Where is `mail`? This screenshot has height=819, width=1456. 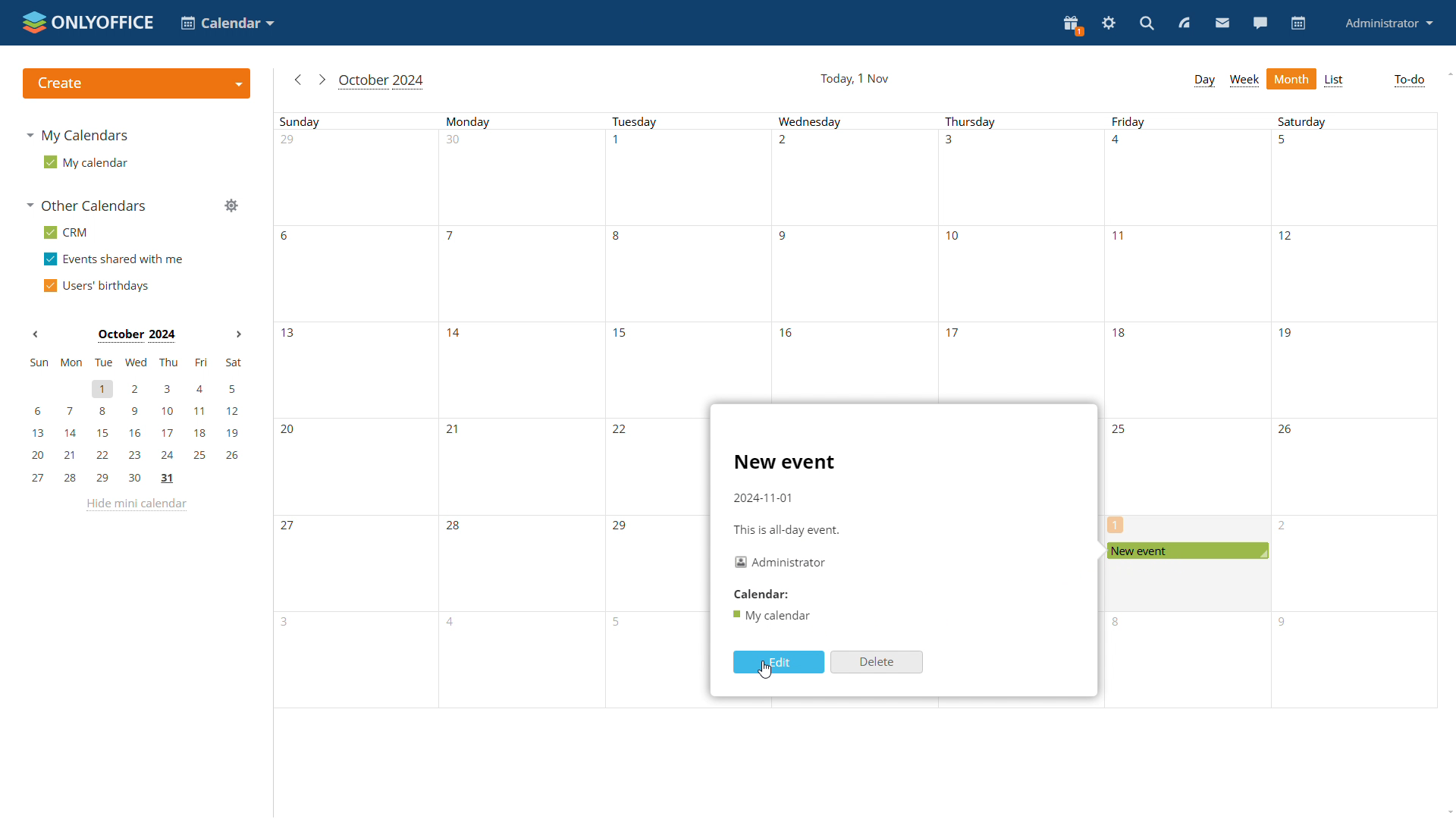 mail is located at coordinates (1221, 23).